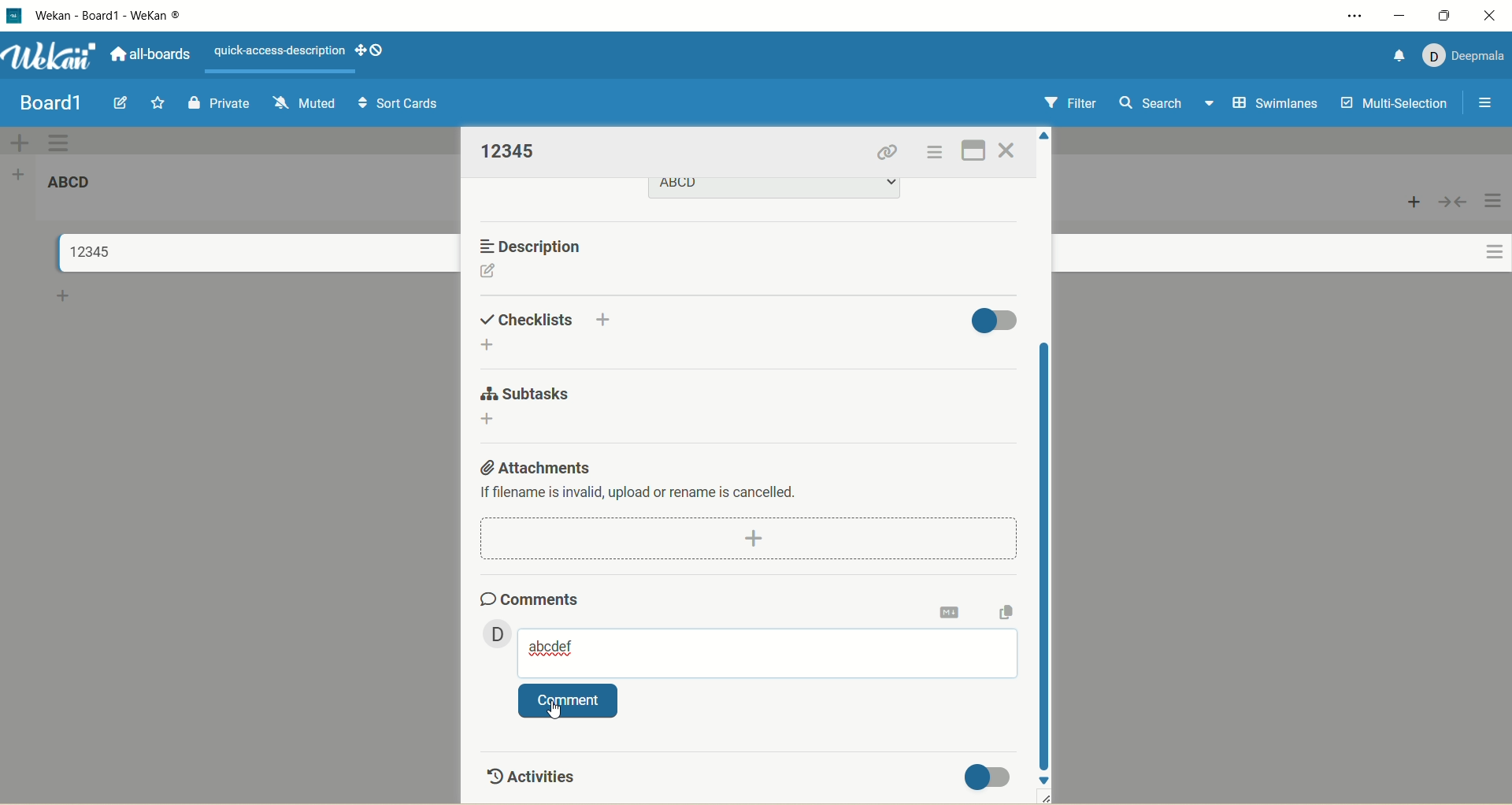  I want to click on settings and more, so click(1359, 17).